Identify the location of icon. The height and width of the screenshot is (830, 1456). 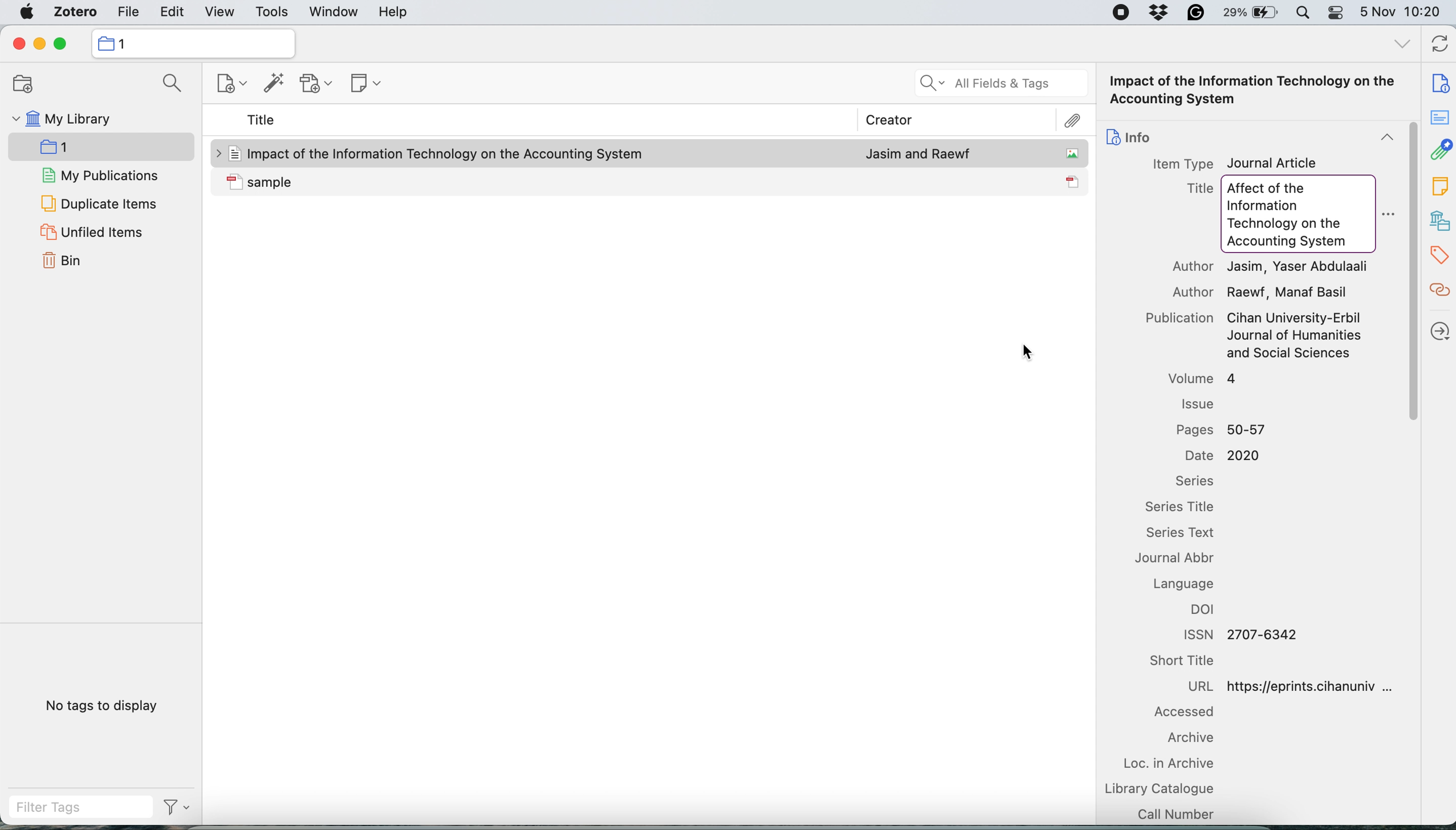
(233, 153).